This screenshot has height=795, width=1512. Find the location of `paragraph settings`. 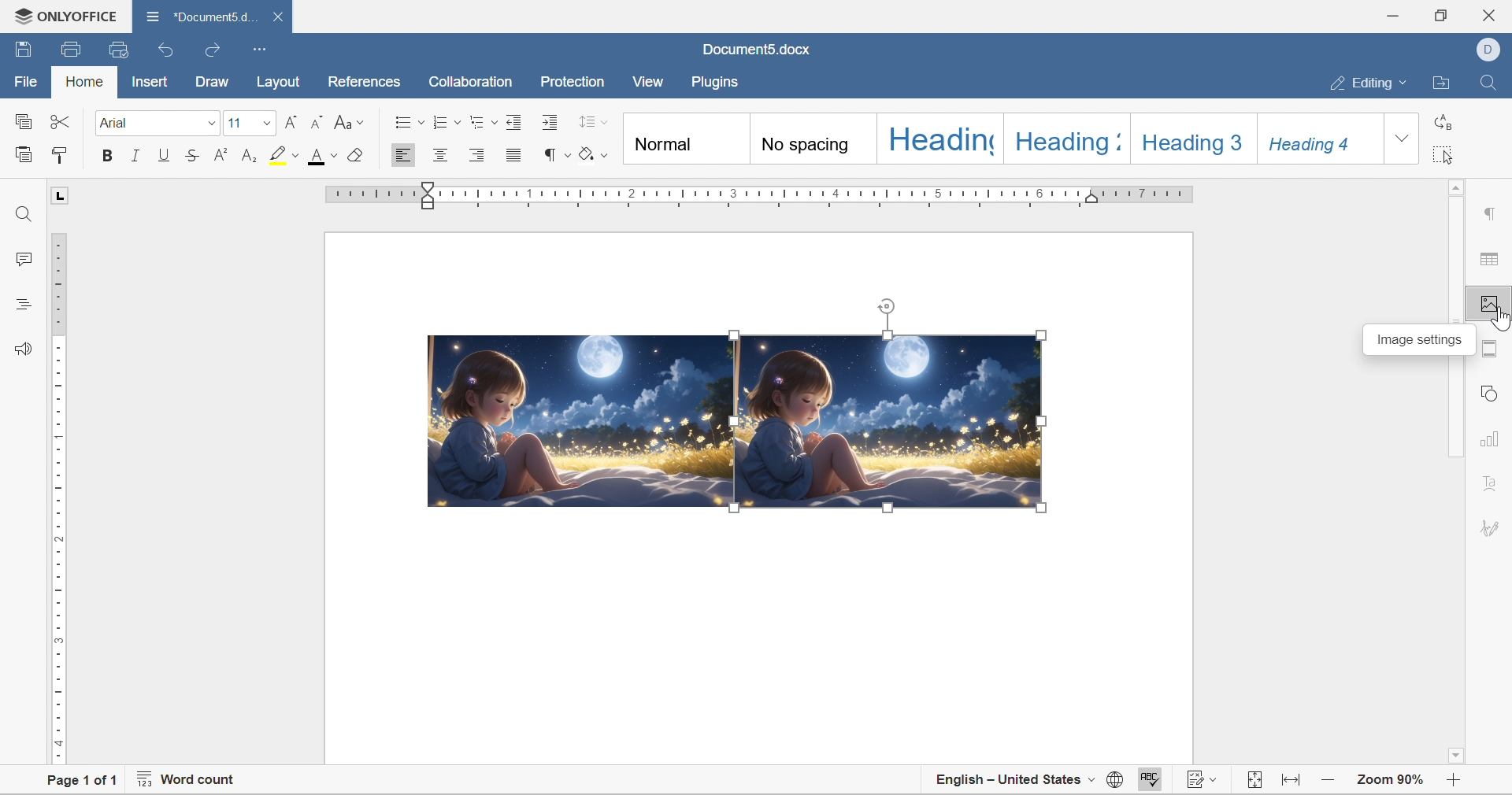

paragraph settings is located at coordinates (1492, 215).